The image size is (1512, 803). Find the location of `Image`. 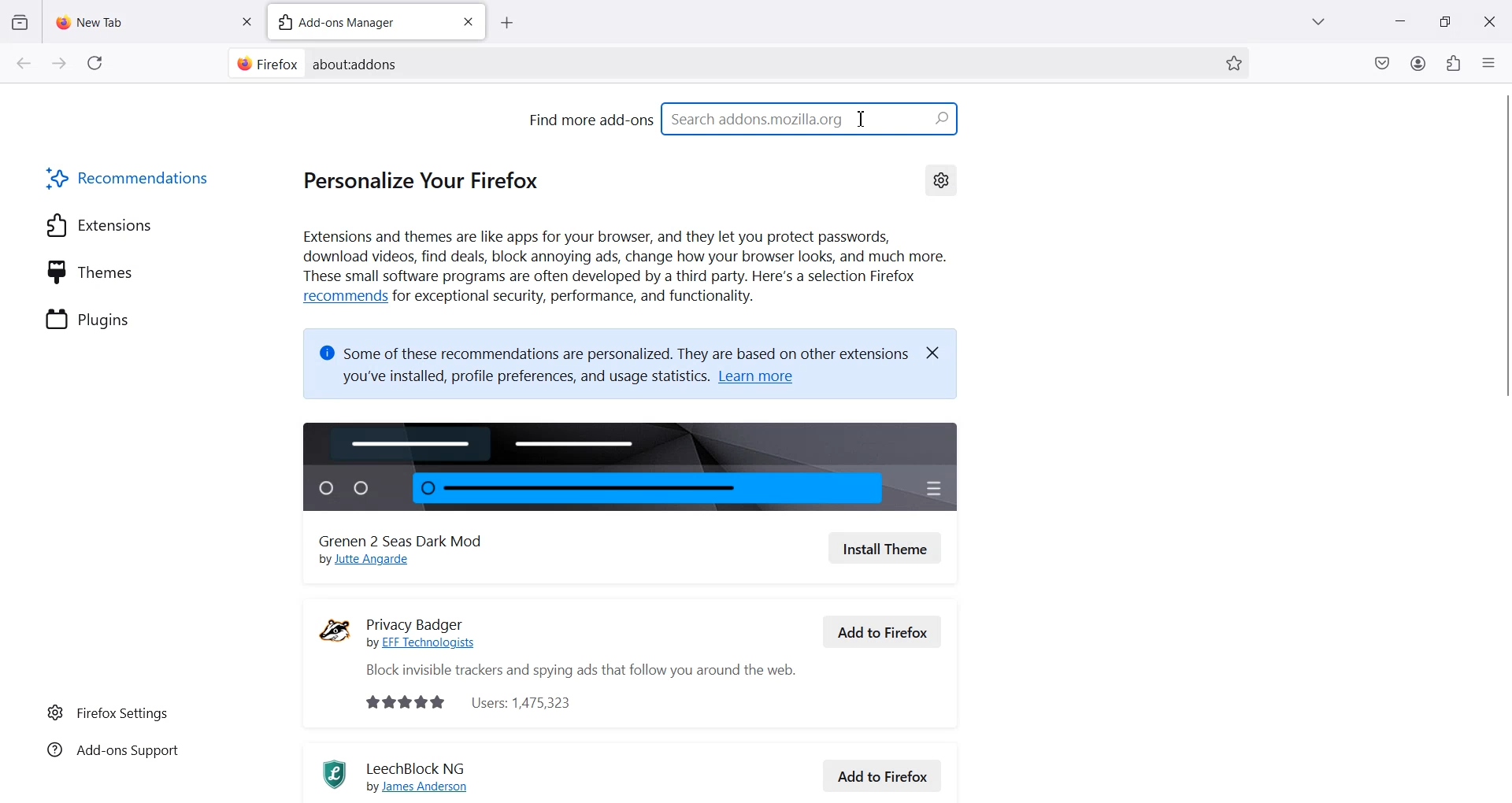

Image is located at coordinates (633, 463).